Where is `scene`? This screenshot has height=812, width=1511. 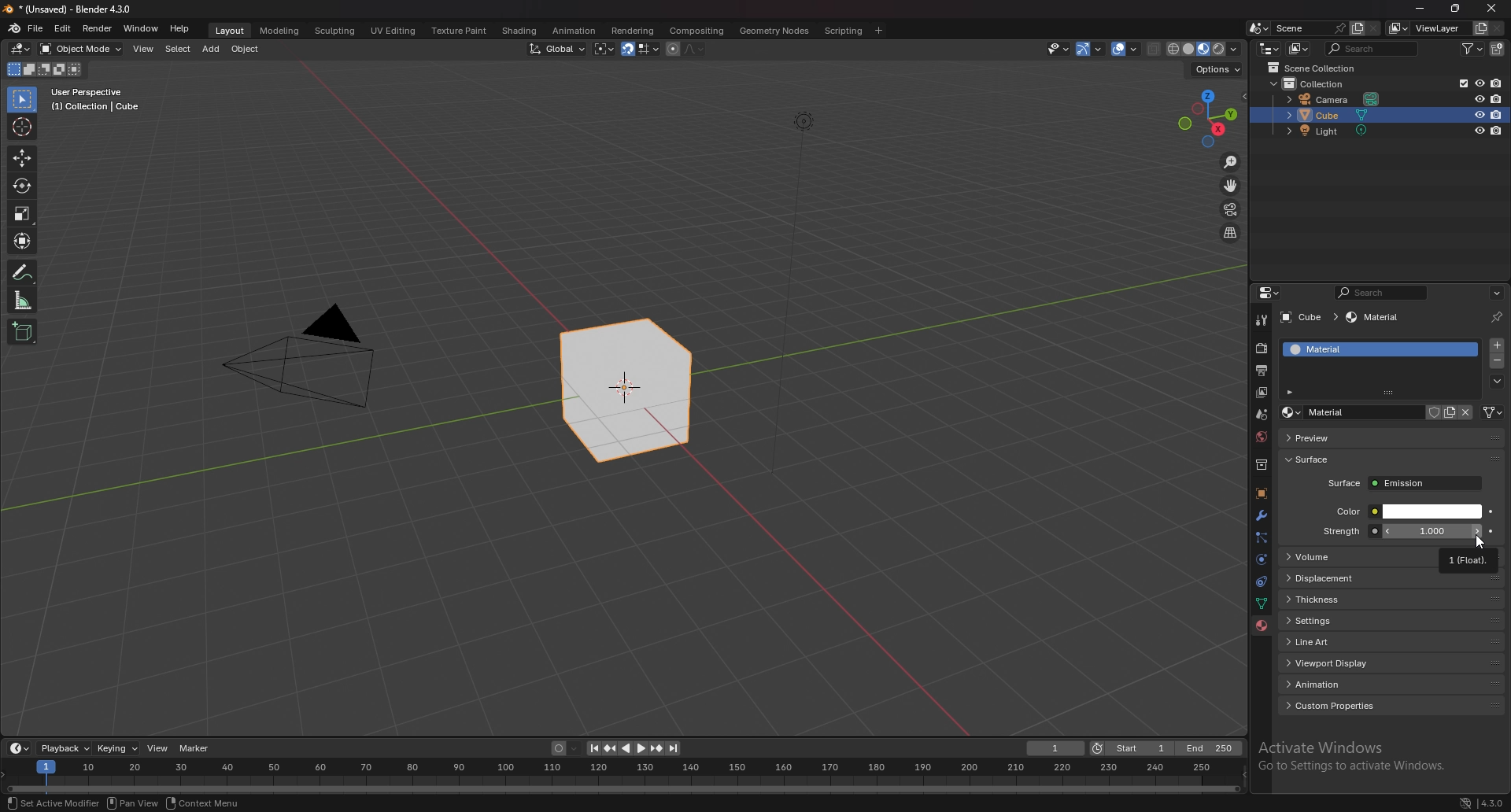 scene is located at coordinates (1260, 415).